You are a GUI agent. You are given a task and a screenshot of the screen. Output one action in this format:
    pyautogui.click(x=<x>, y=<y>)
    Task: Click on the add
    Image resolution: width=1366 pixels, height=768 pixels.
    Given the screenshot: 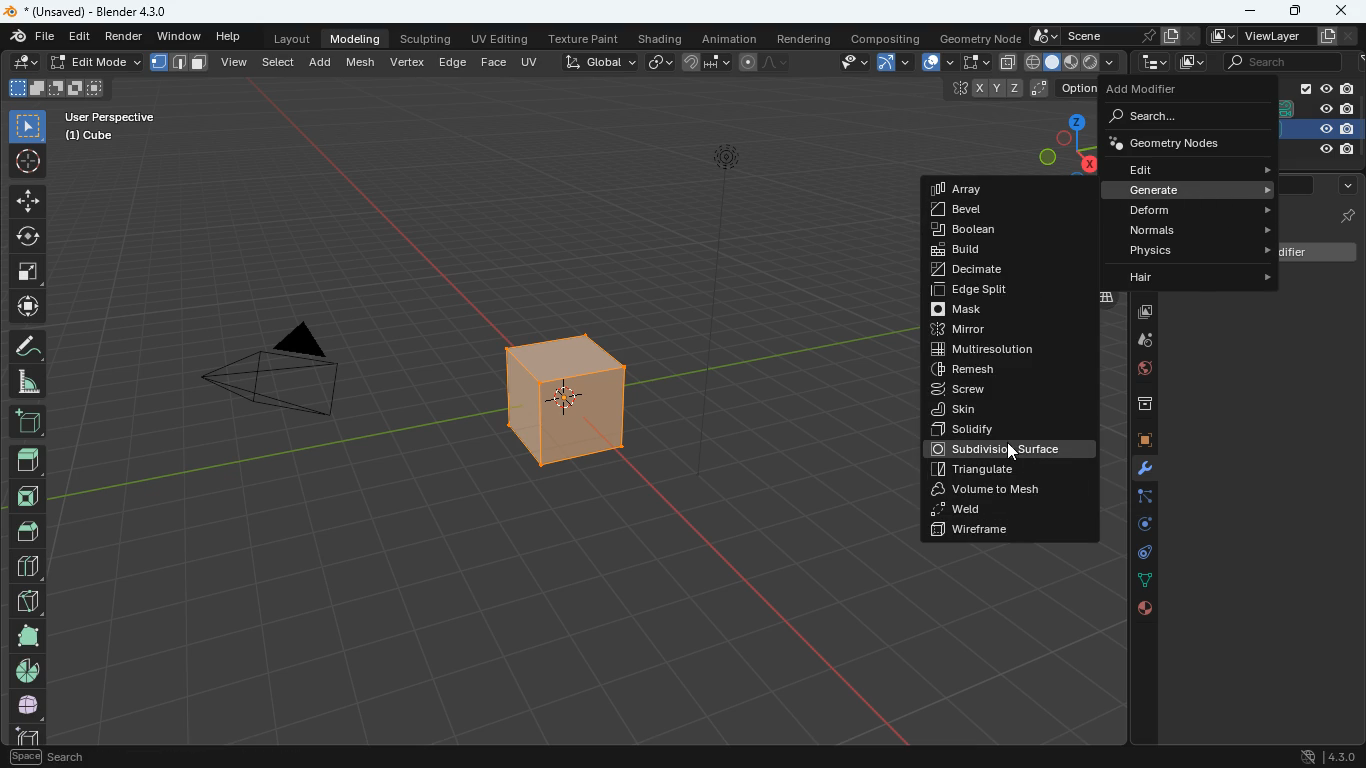 What is the action you would take?
    pyautogui.click(x=31, y=424)
    